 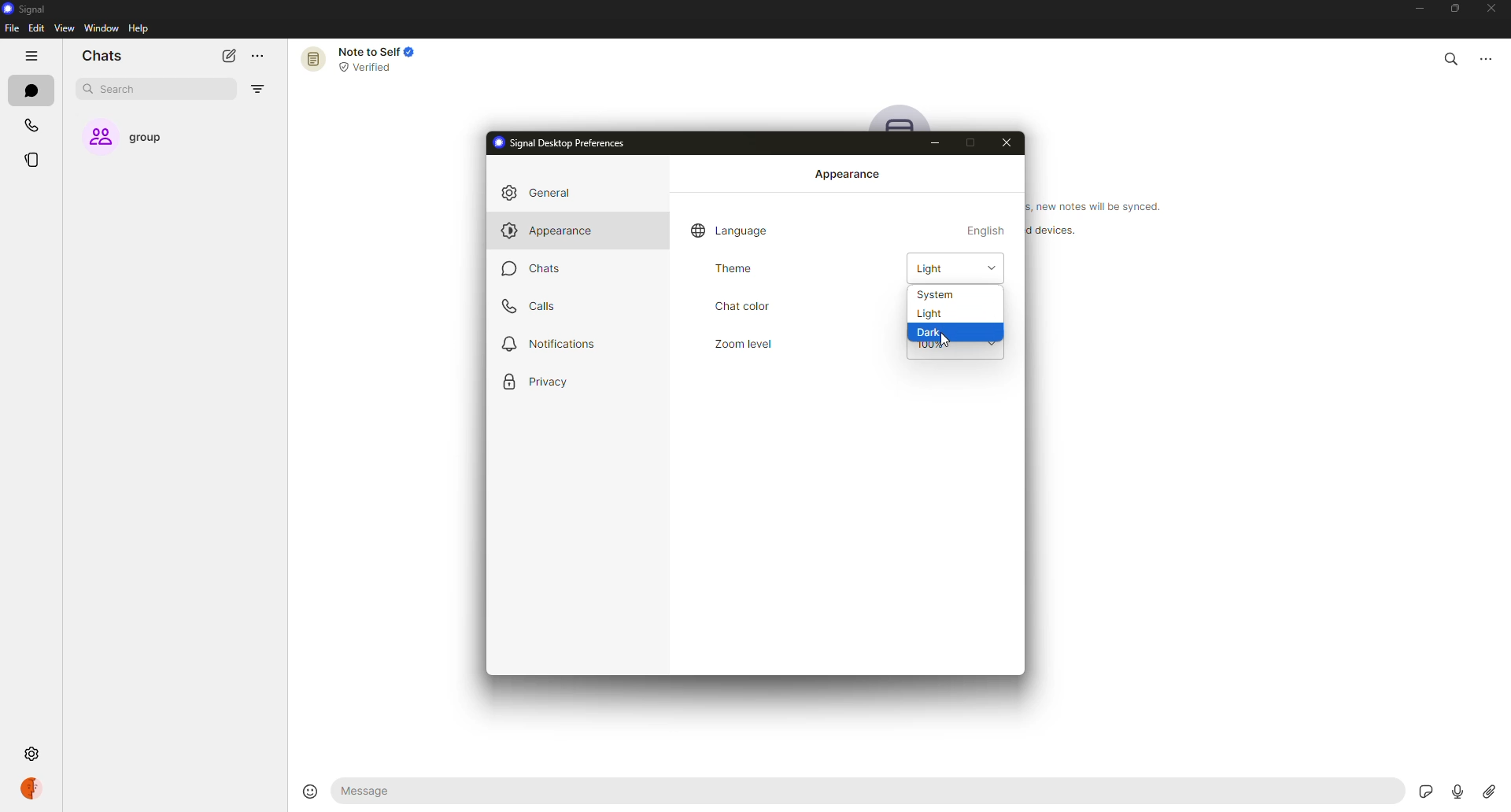 What do you see at coordinates (935, 294) in the screenshot?
I see `system` at bounding box center [935, 294].